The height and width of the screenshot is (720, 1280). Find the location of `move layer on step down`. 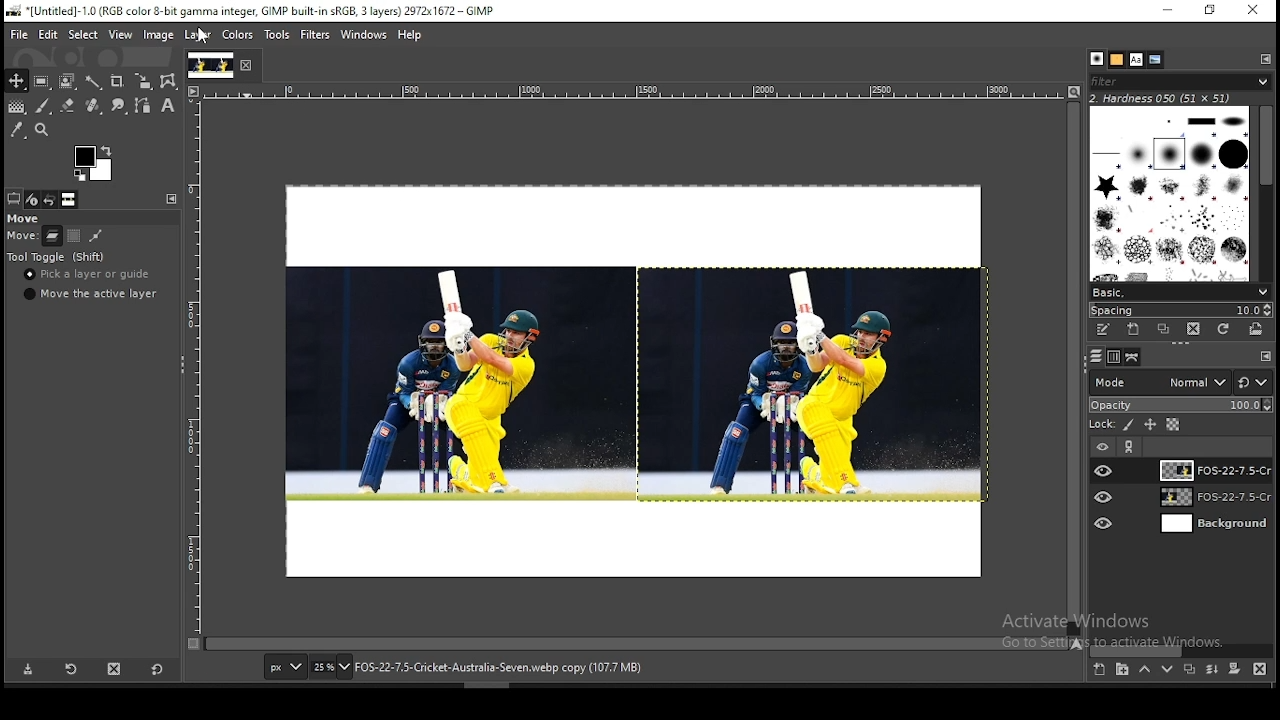

move layer on step down is located at coordinates (1168, 672).